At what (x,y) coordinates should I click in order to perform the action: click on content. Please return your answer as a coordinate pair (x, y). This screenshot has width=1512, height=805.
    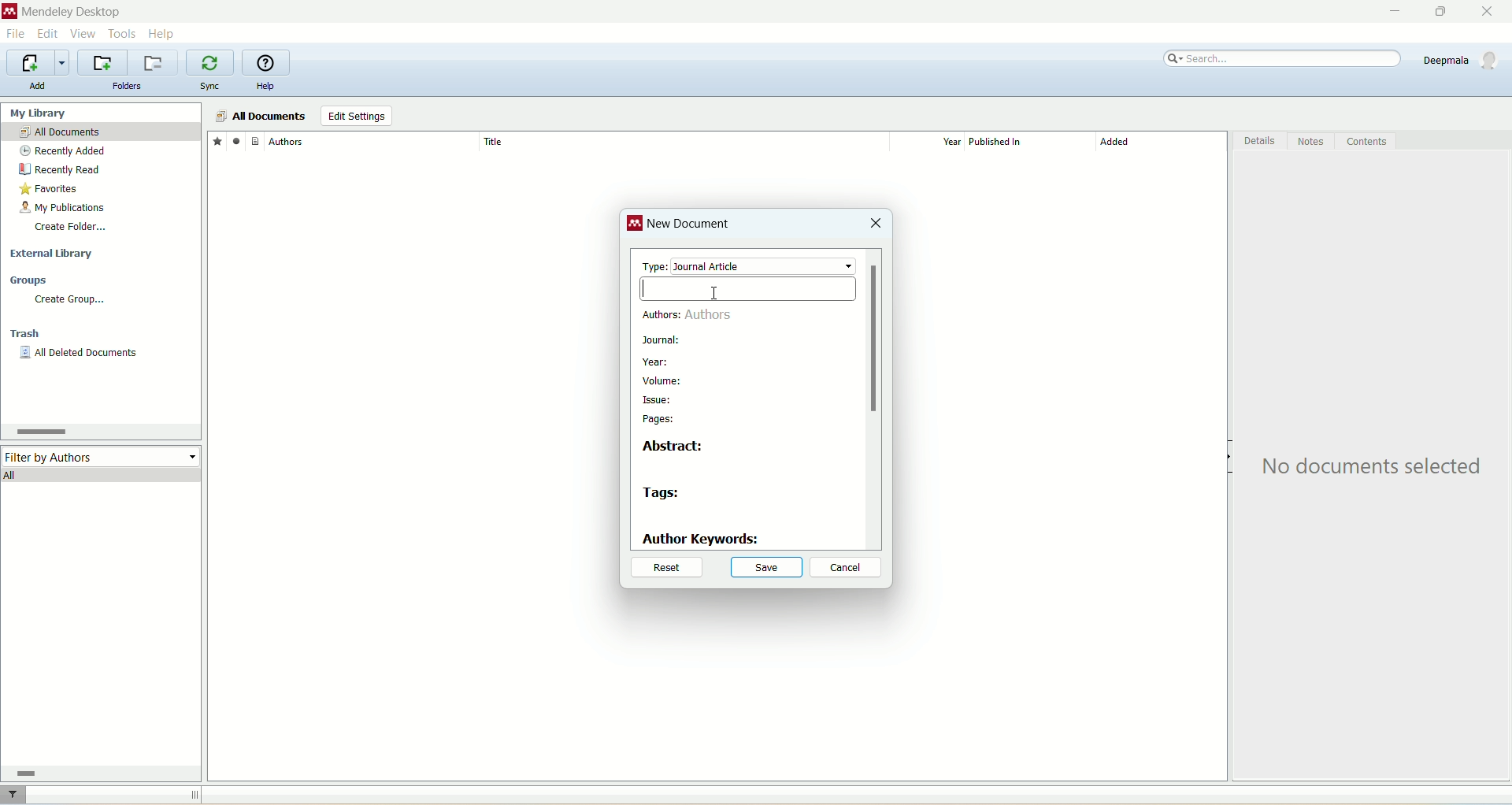
    Looking at the image, I should click on (1366, 142).